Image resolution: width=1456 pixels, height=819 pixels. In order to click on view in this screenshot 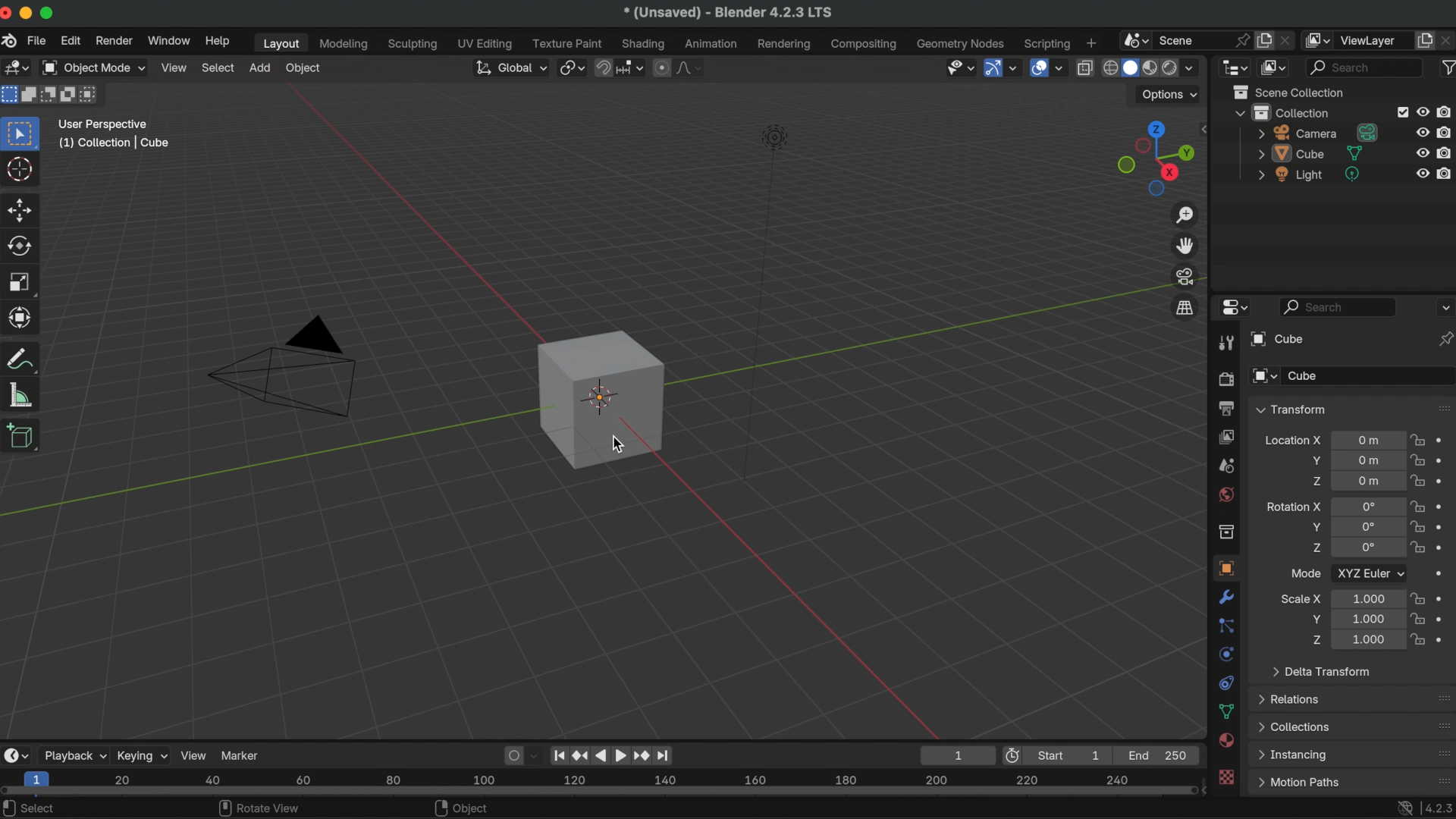, I will do `click(194, 755)`.